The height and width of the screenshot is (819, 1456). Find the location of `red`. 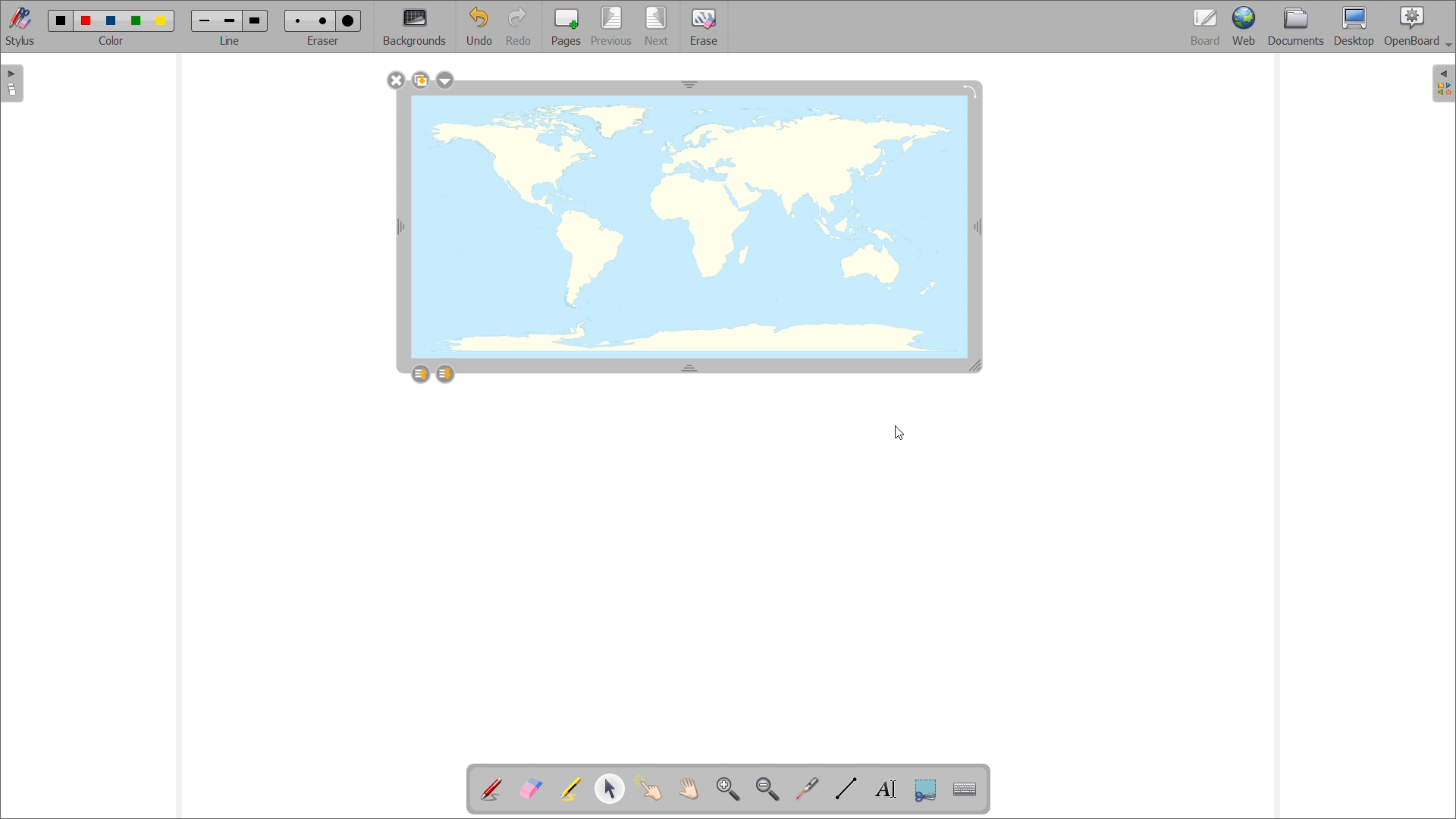

red is located at coordinates (86, 20).